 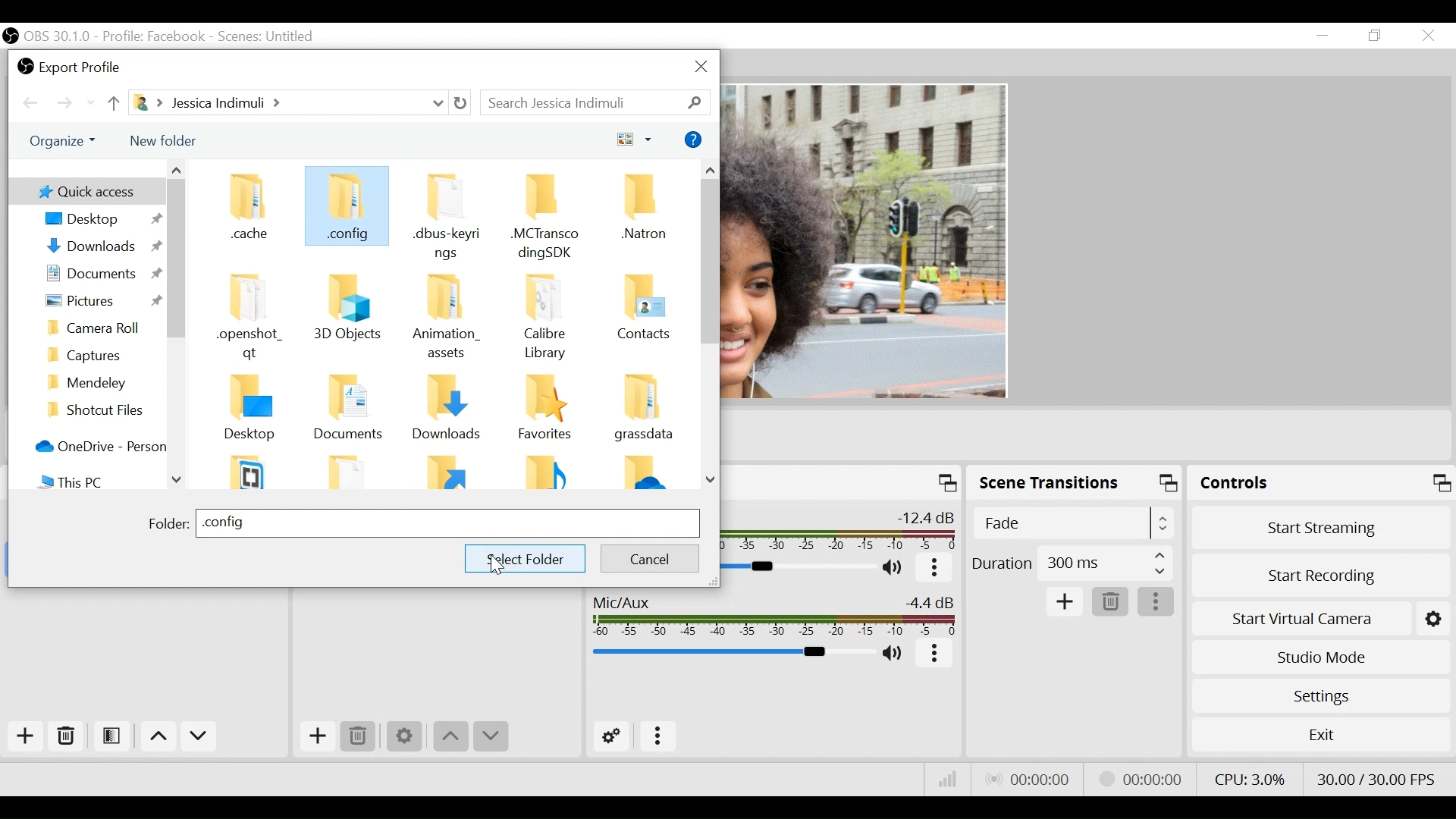 What do you see at coordinates (1375, 36) in the screenshot?
I see `Restore` at bounding box center [1375, 36].